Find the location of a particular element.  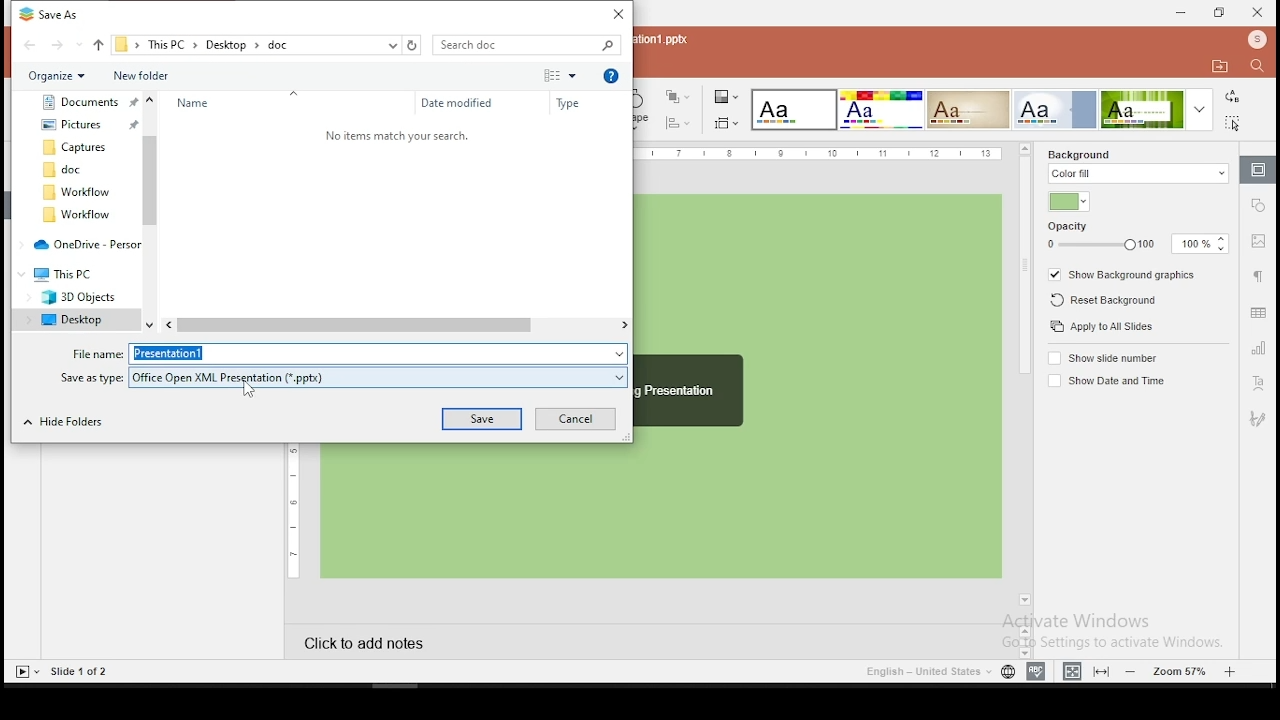

doc is located at coordinates (76, 170).